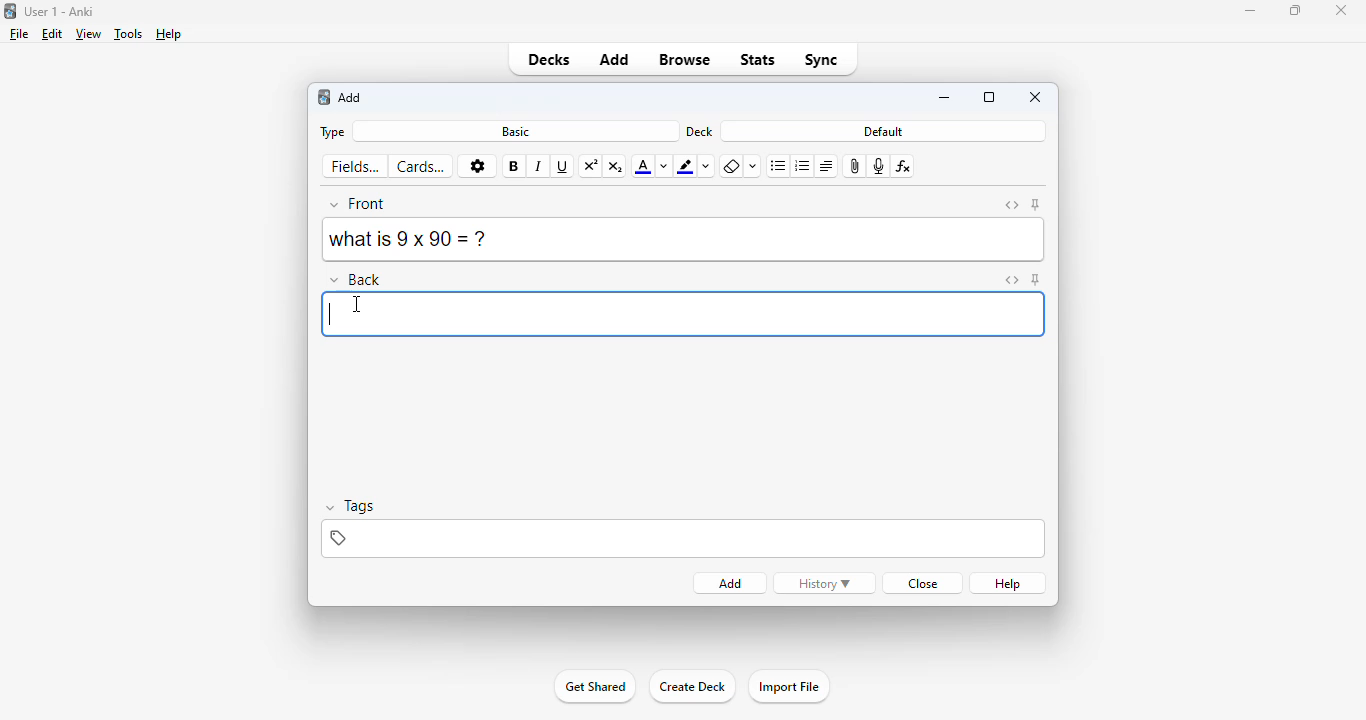 This screenshot has width=1366, height=720. Describe the element at coordinates (1296, 10) in the screenshot. I see `maximize` at that location.